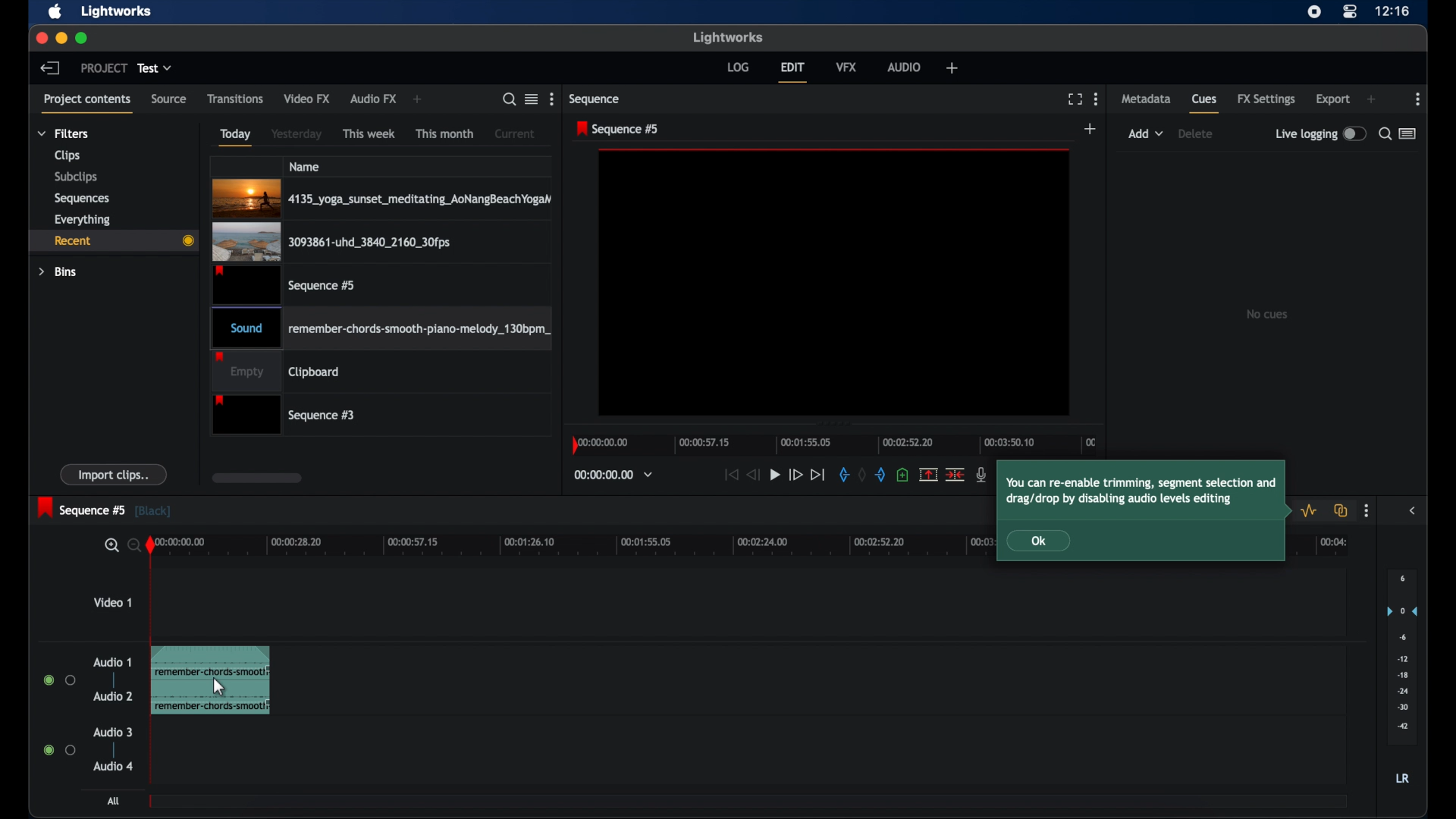  Describe the element at coordinates (372, 99) in the screenshot. I see `audio fx` at that location.